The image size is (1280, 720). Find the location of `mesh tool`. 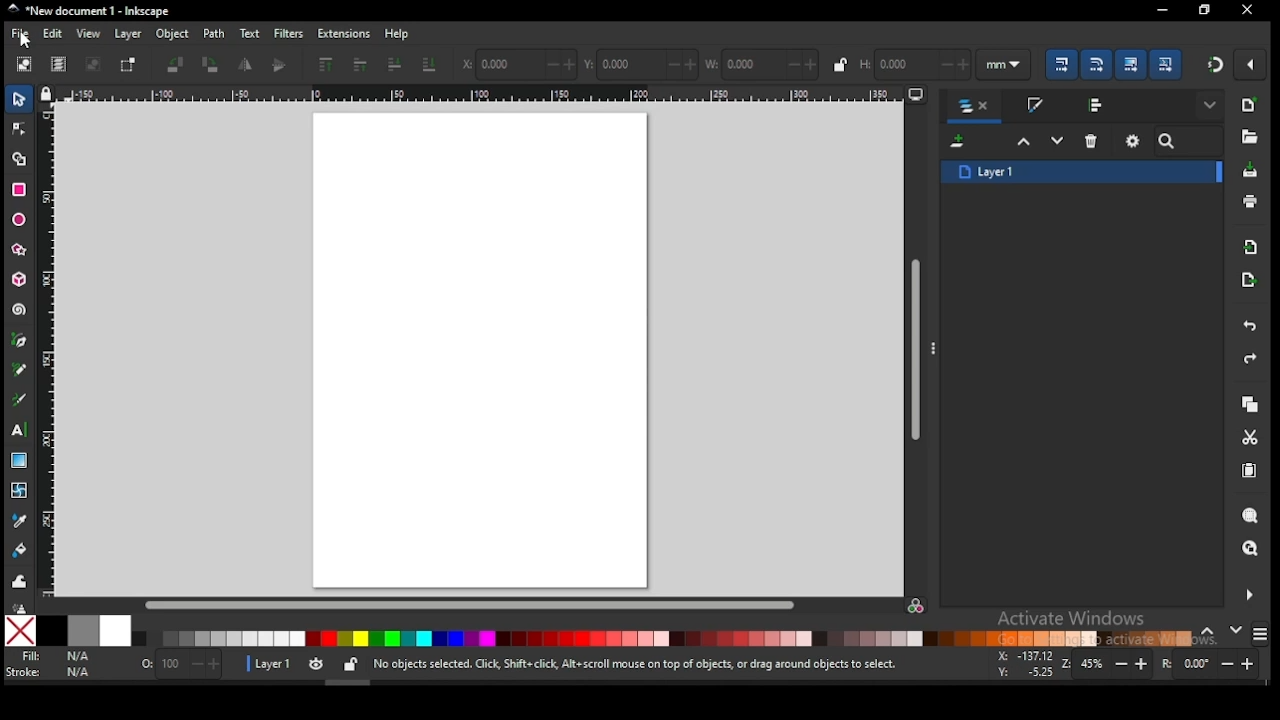

mesh tool is located at coordinates (21, 491).